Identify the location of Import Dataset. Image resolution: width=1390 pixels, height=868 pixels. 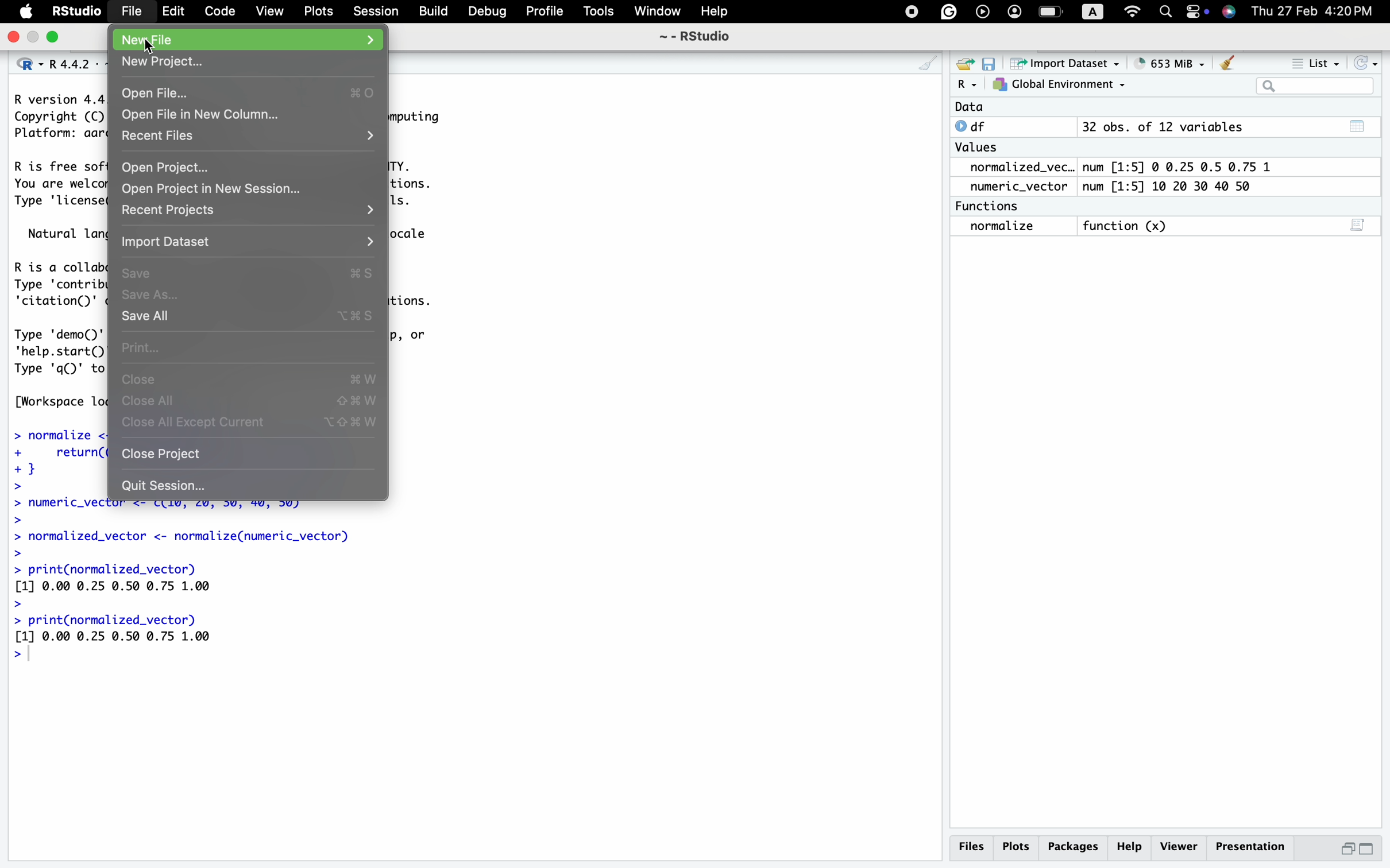
(1068, 63).